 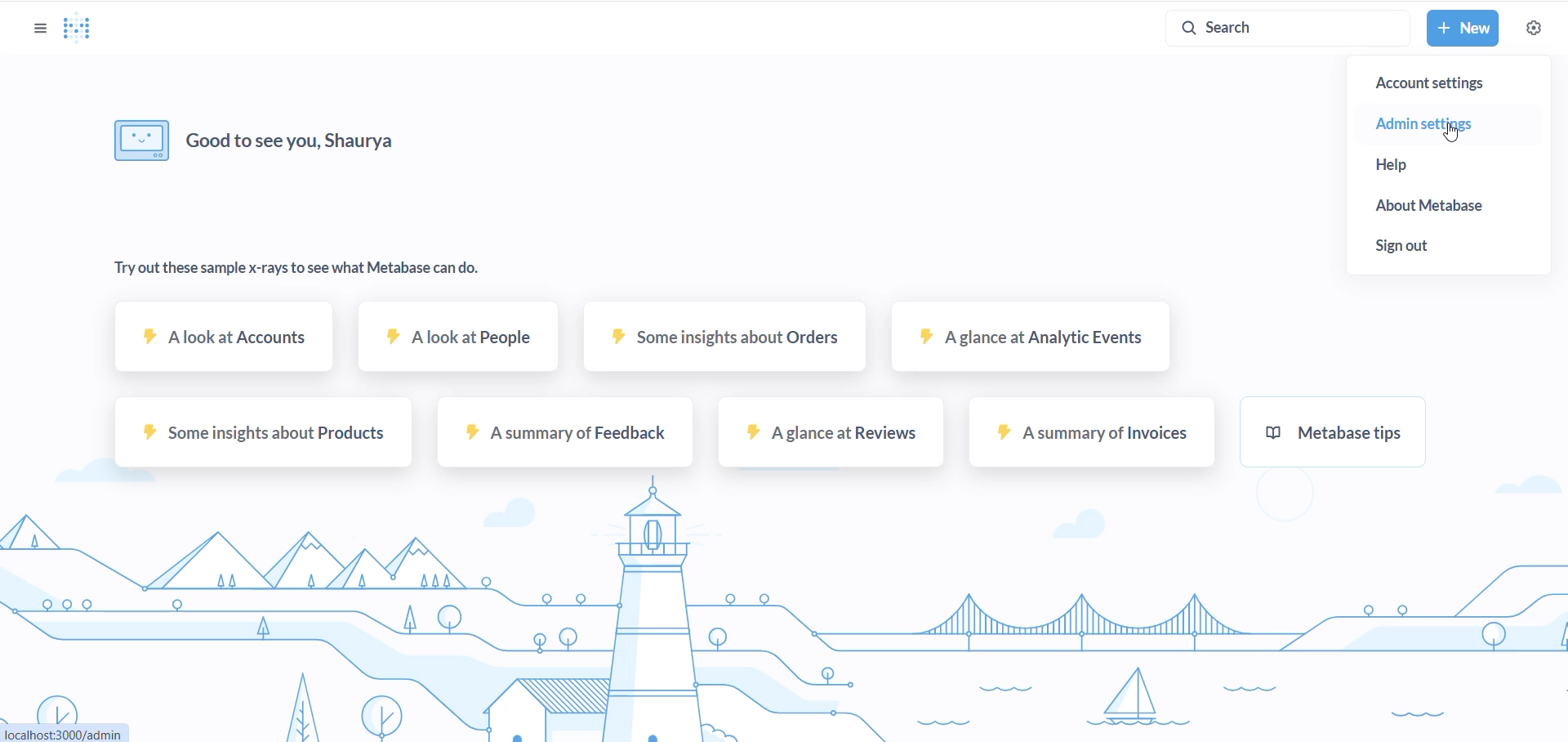 I want to click on account settings, so click(x=1453, y=82).